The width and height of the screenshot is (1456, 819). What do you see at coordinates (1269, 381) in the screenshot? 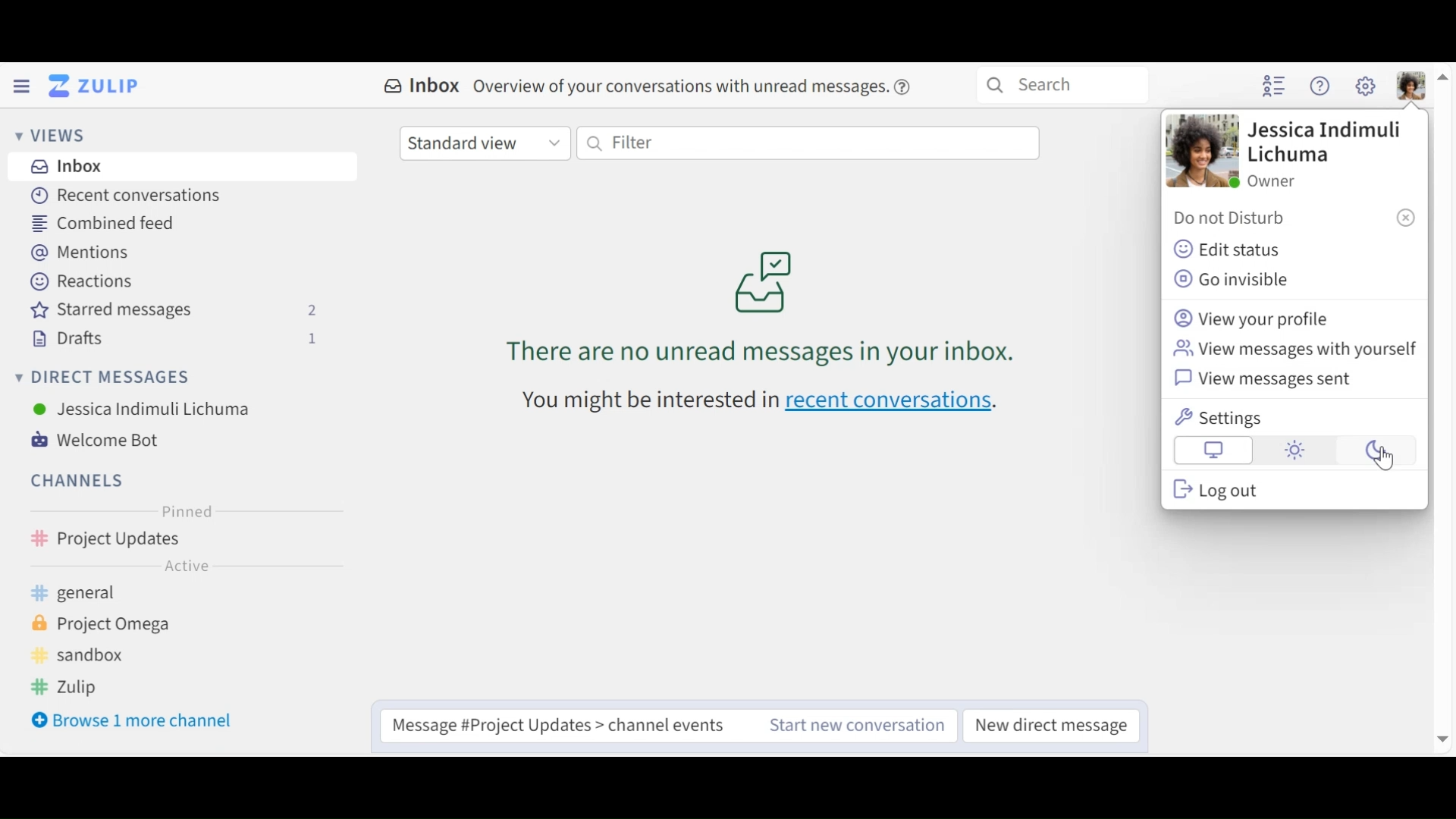
I see `View messages sent` at bounding box center [1269, 381].